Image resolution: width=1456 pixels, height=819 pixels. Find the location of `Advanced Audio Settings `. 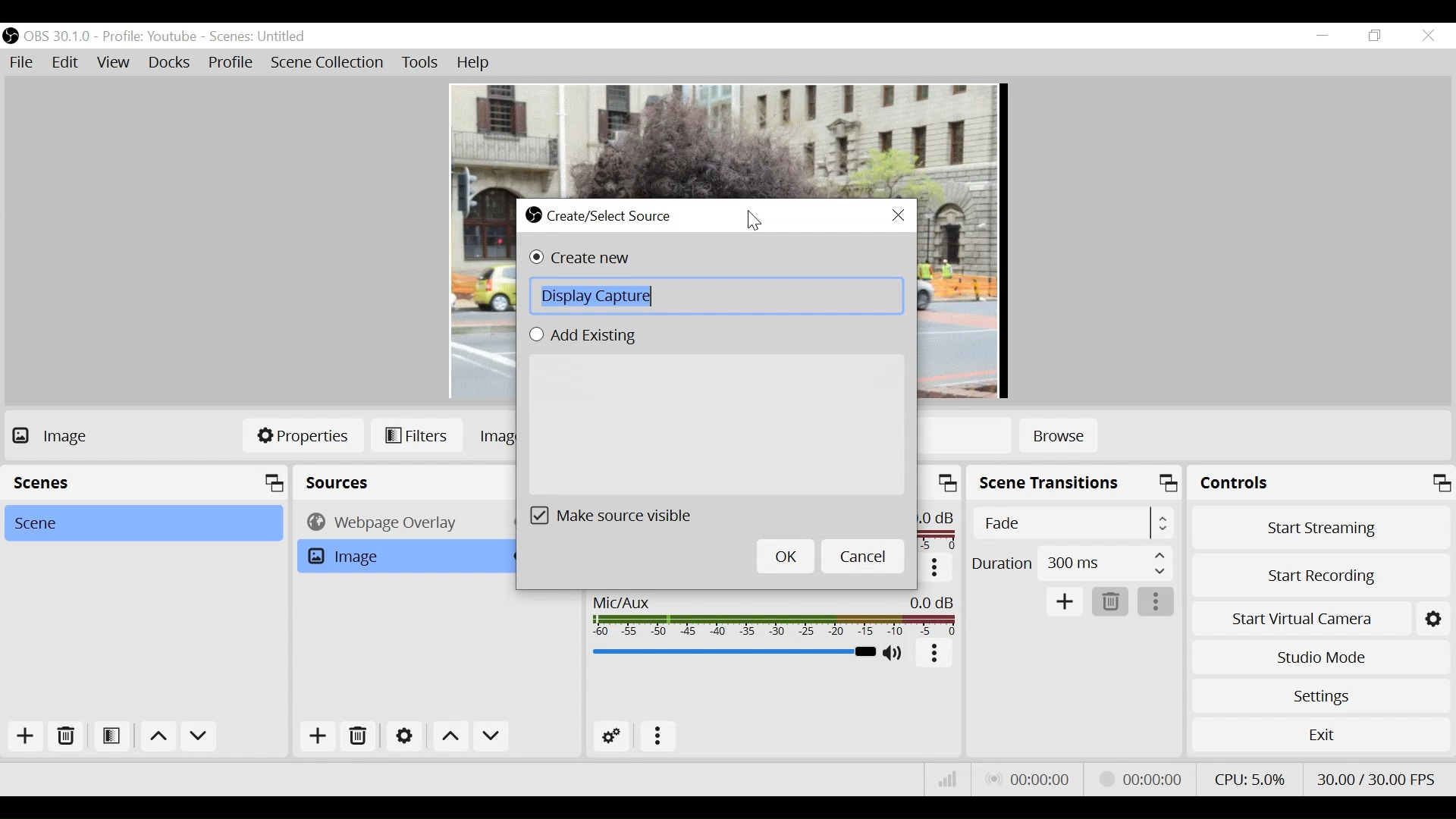

Advanced Audio Settings  is located at coordinates (610, 738).